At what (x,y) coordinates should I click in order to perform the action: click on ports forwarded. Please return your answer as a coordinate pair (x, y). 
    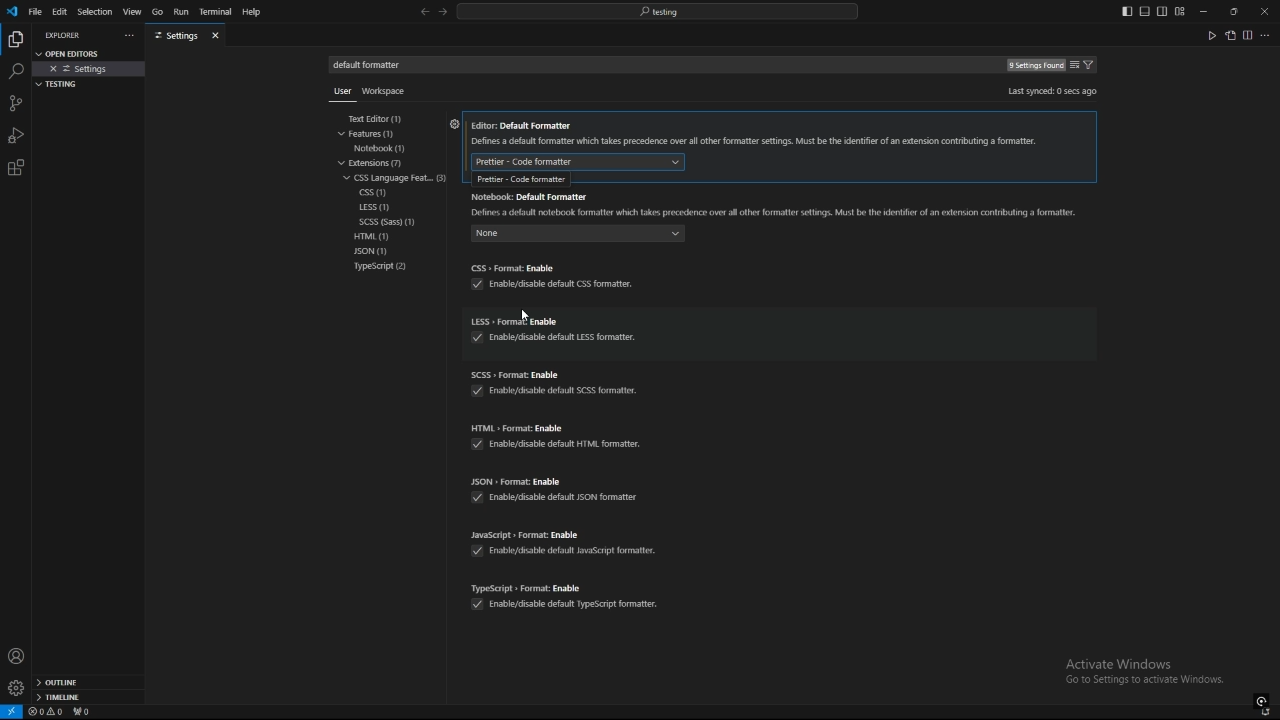
    Looking at the image, I should click on (85, 713).